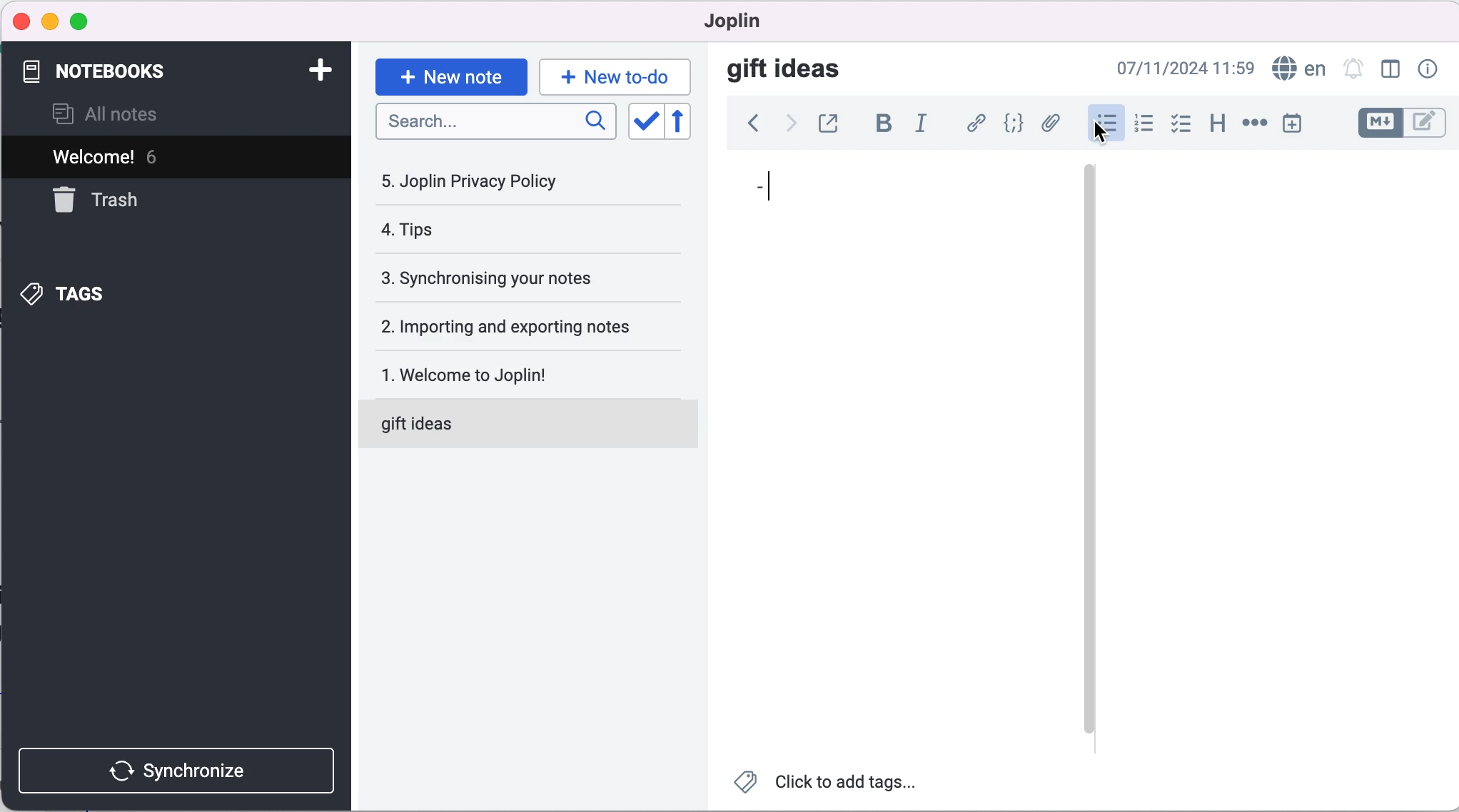 This screenshot has width=1459, height=812. Describe the element at coordinates (523, 325) in the screenshot. I see `importing and exporting notes` at that location.